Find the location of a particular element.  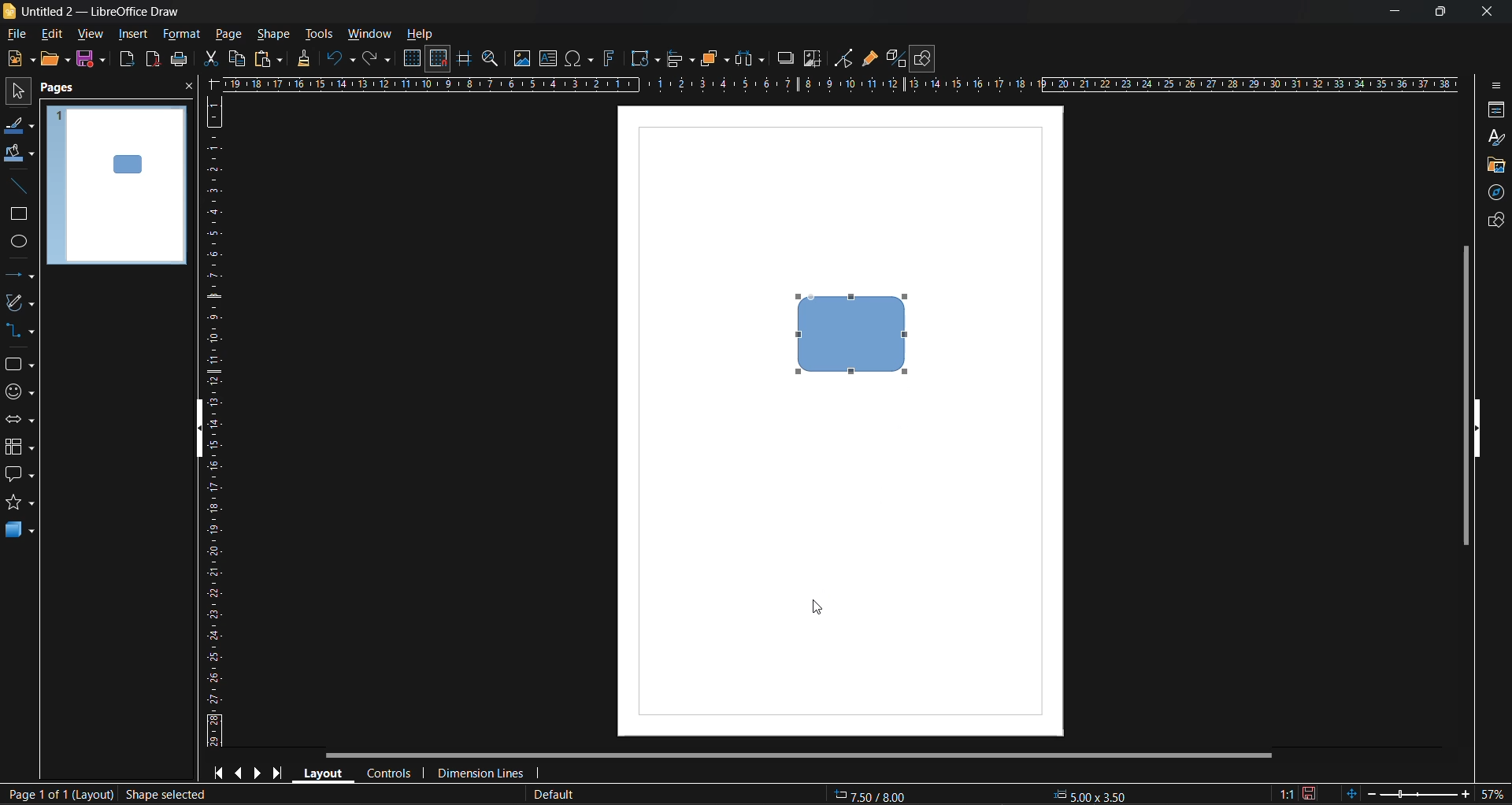

show draw functions is located at coordinates (925, 59).